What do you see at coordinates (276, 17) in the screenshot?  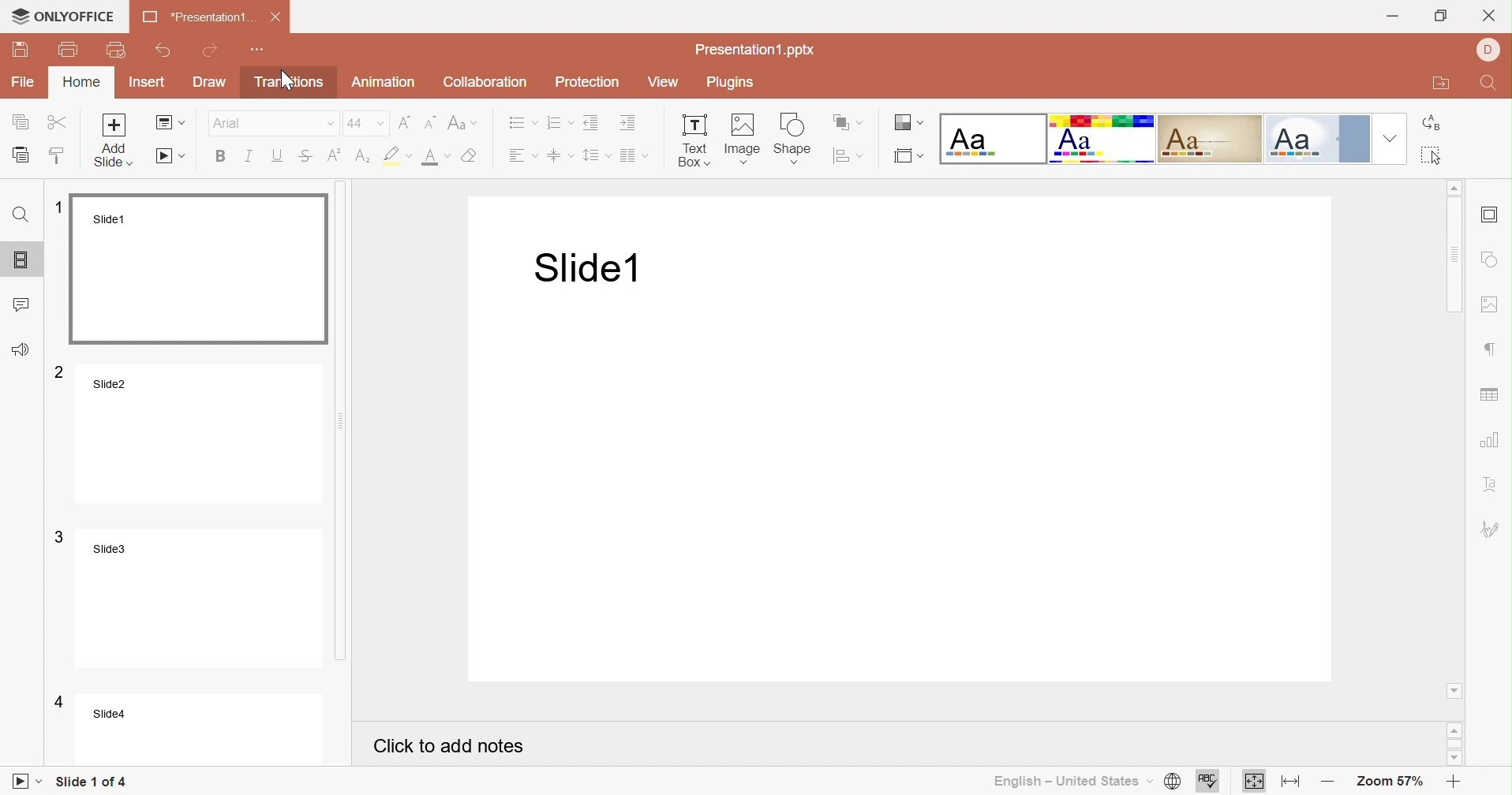 I see `Close` at bounding box center [276, 17].